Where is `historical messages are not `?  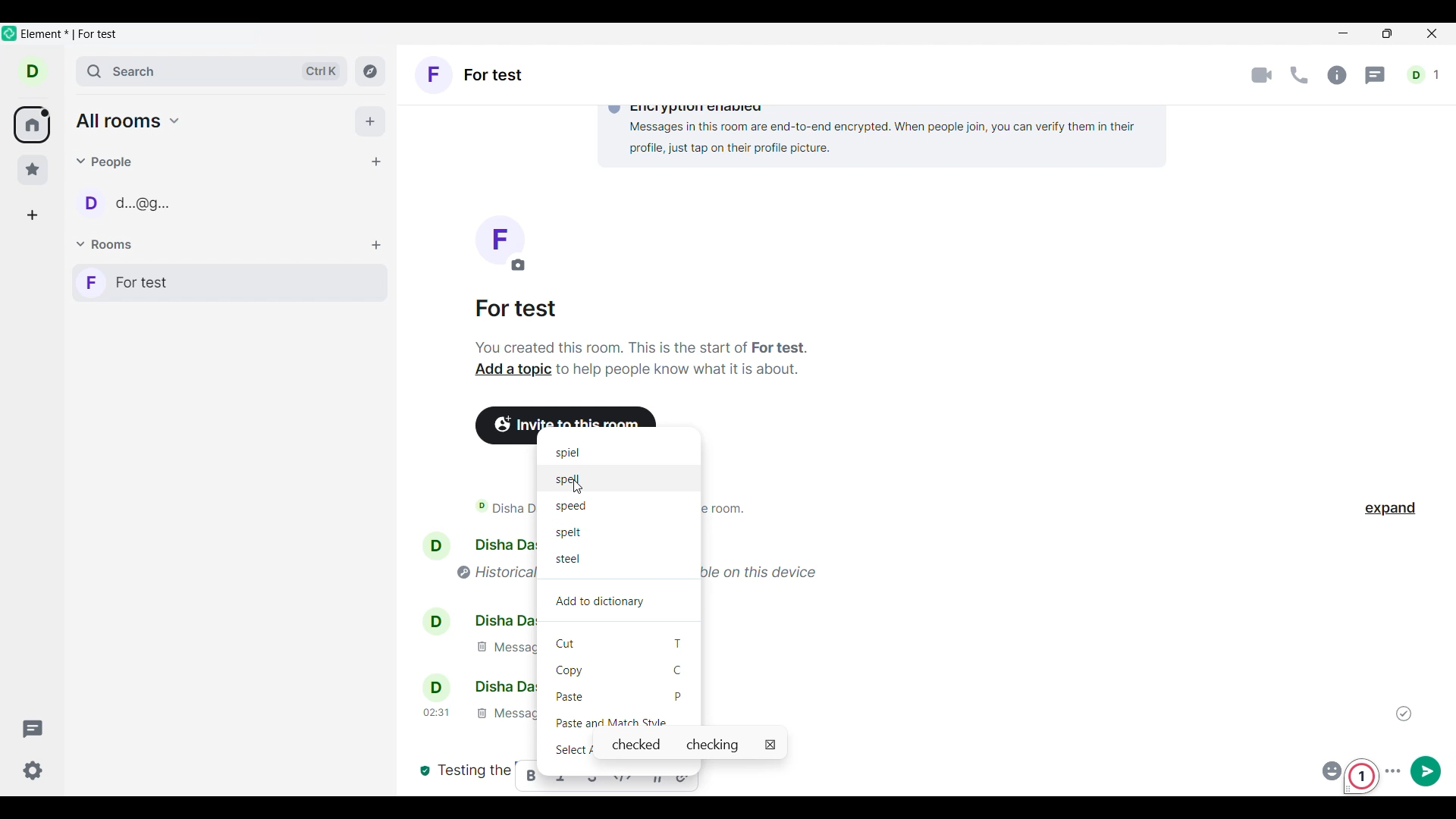 historical messages are not  is located at coordinates (487, 571).